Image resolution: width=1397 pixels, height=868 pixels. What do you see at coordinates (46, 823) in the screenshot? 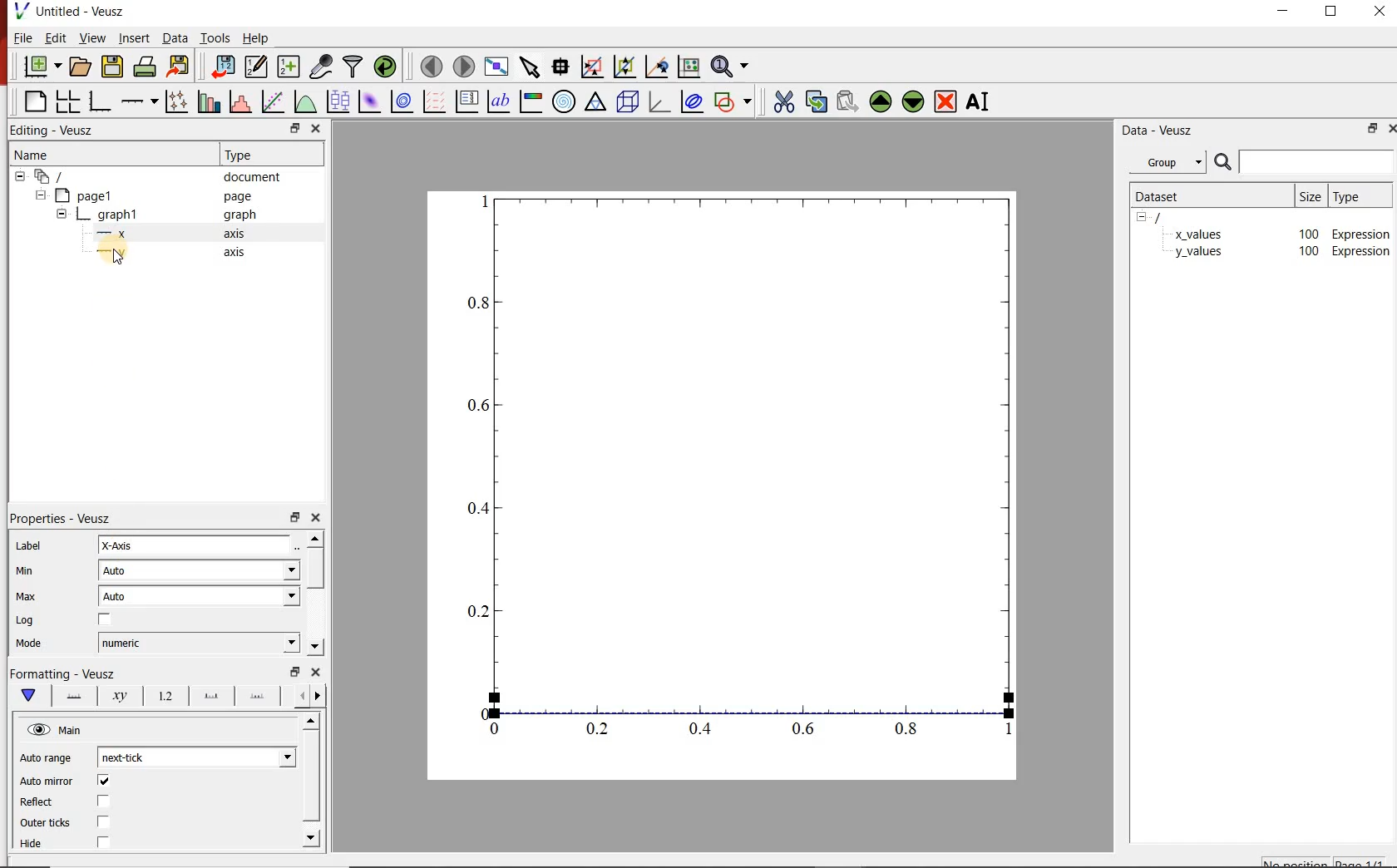
I see `Outer ticks` at bounding box center [46, 823].